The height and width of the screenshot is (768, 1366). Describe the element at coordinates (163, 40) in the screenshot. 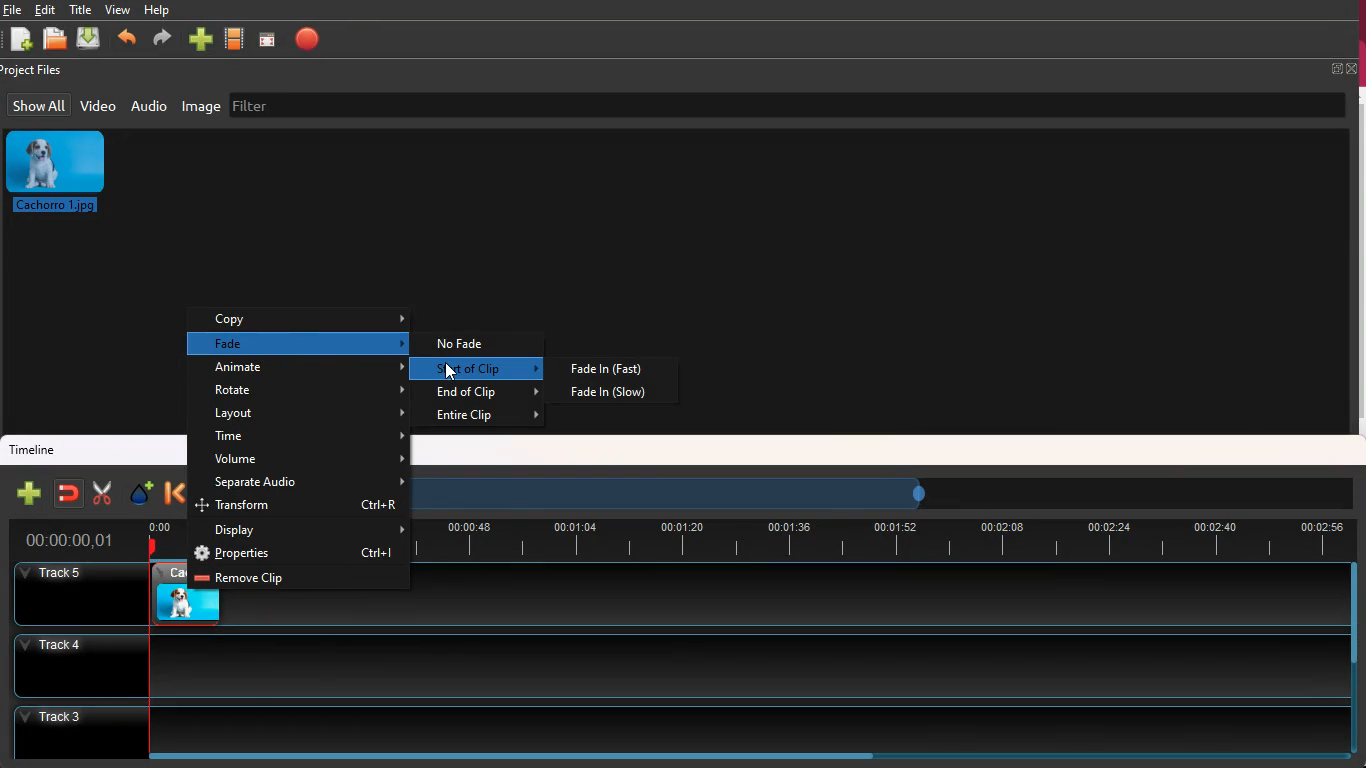

I see `forward` at that location.